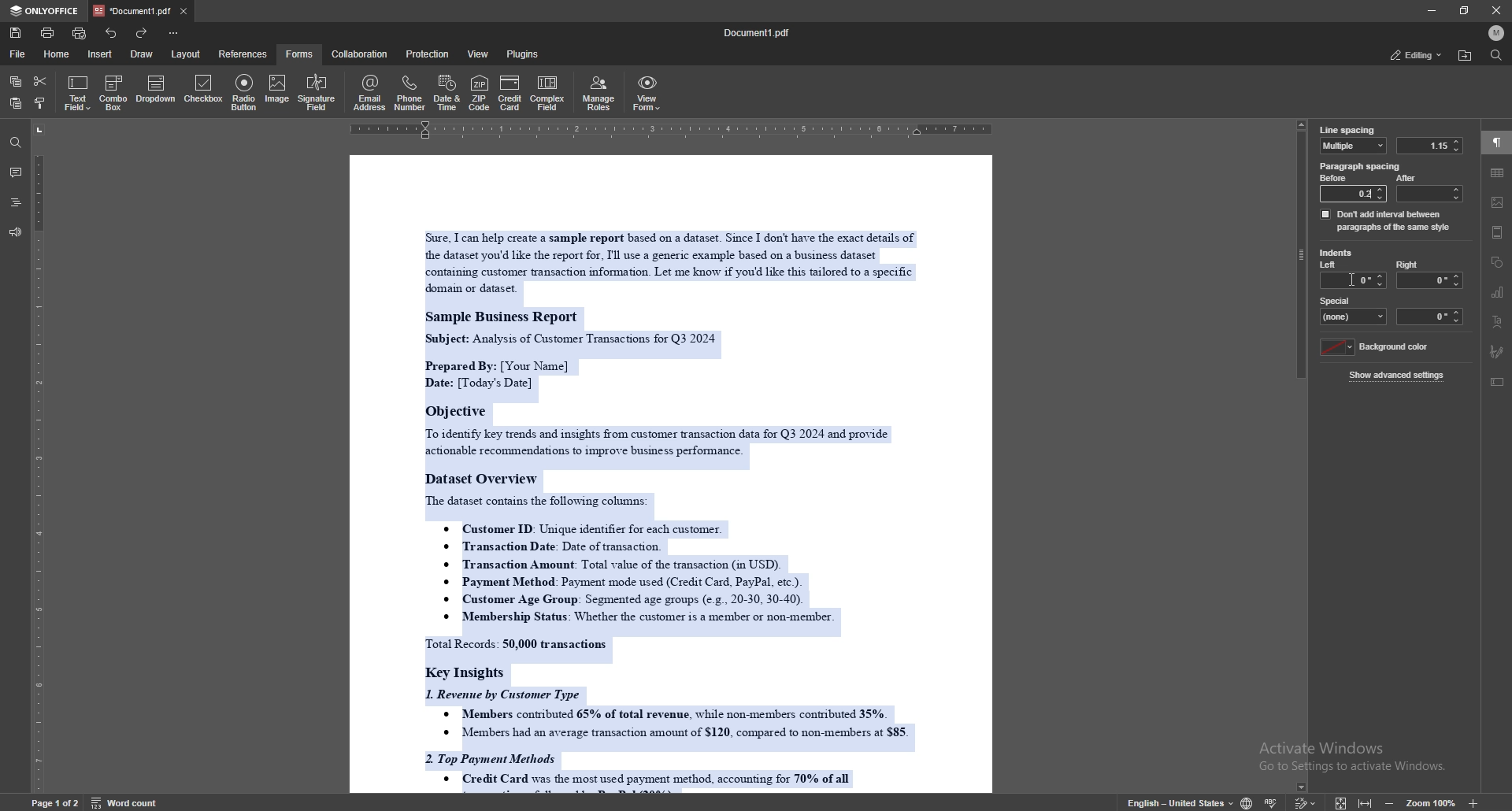  Describe the element at coordinates (1431, 10) in the screenshot. I see `minimize` at that location.